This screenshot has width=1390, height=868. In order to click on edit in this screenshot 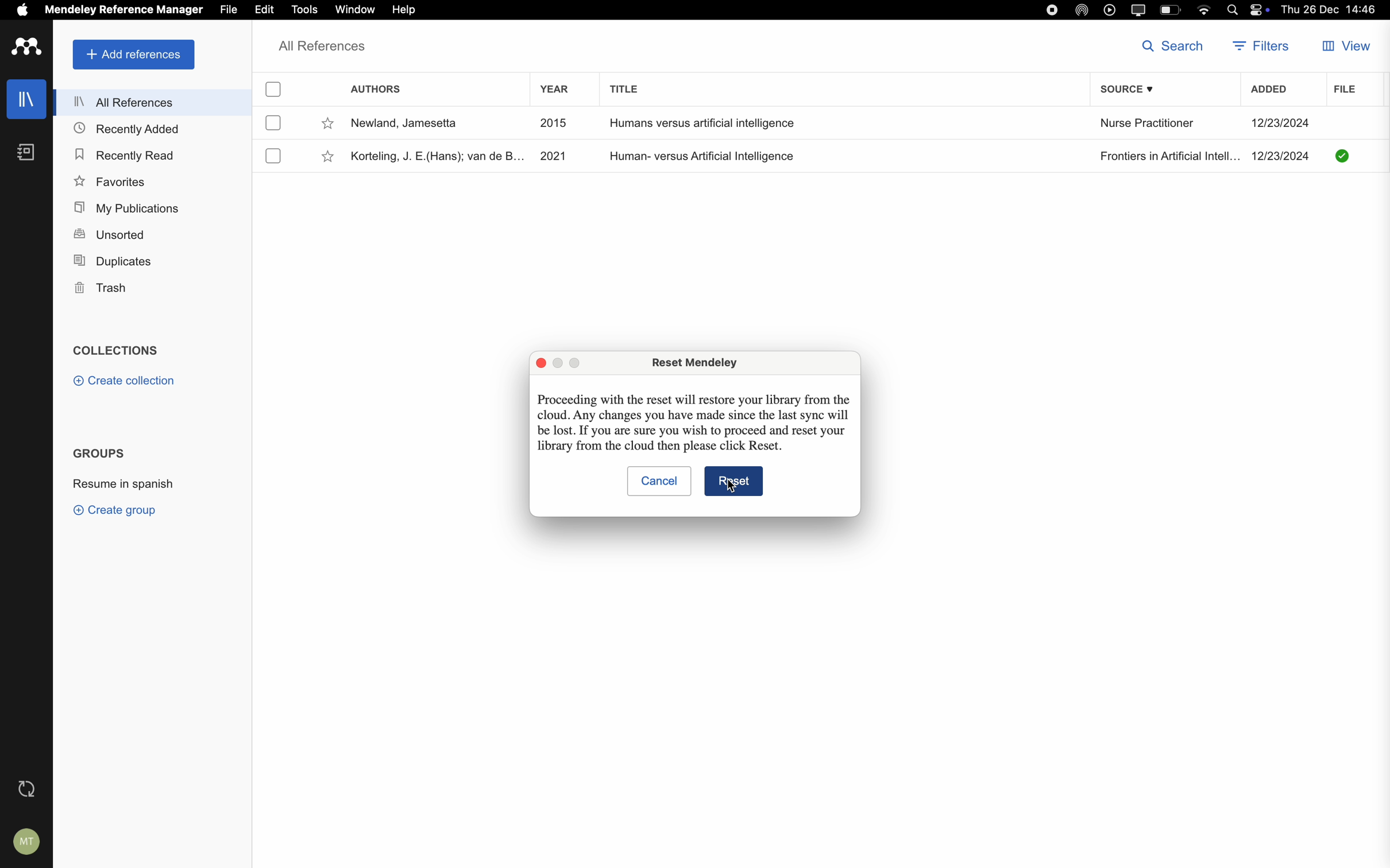, I will do `click(262, 9)`.